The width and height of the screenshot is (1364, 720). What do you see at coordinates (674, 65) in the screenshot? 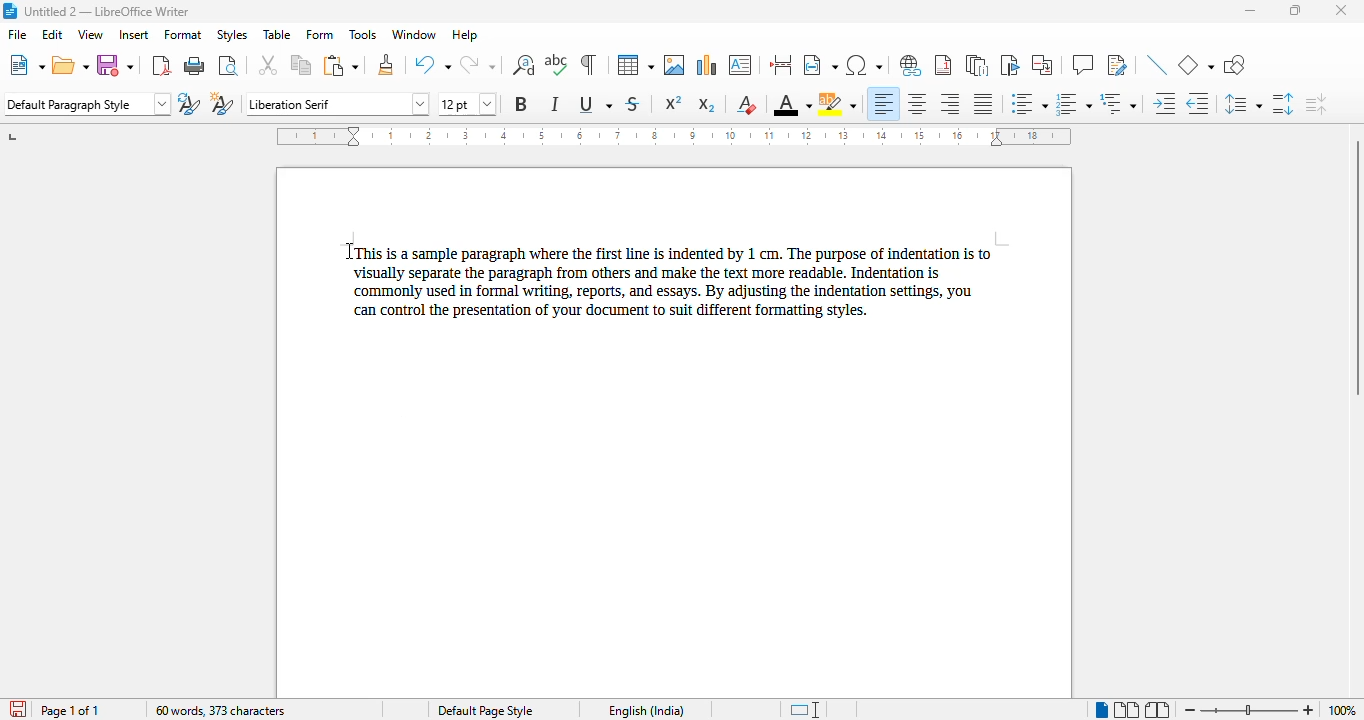
I see `insert image` at bounding box center [674, 65].